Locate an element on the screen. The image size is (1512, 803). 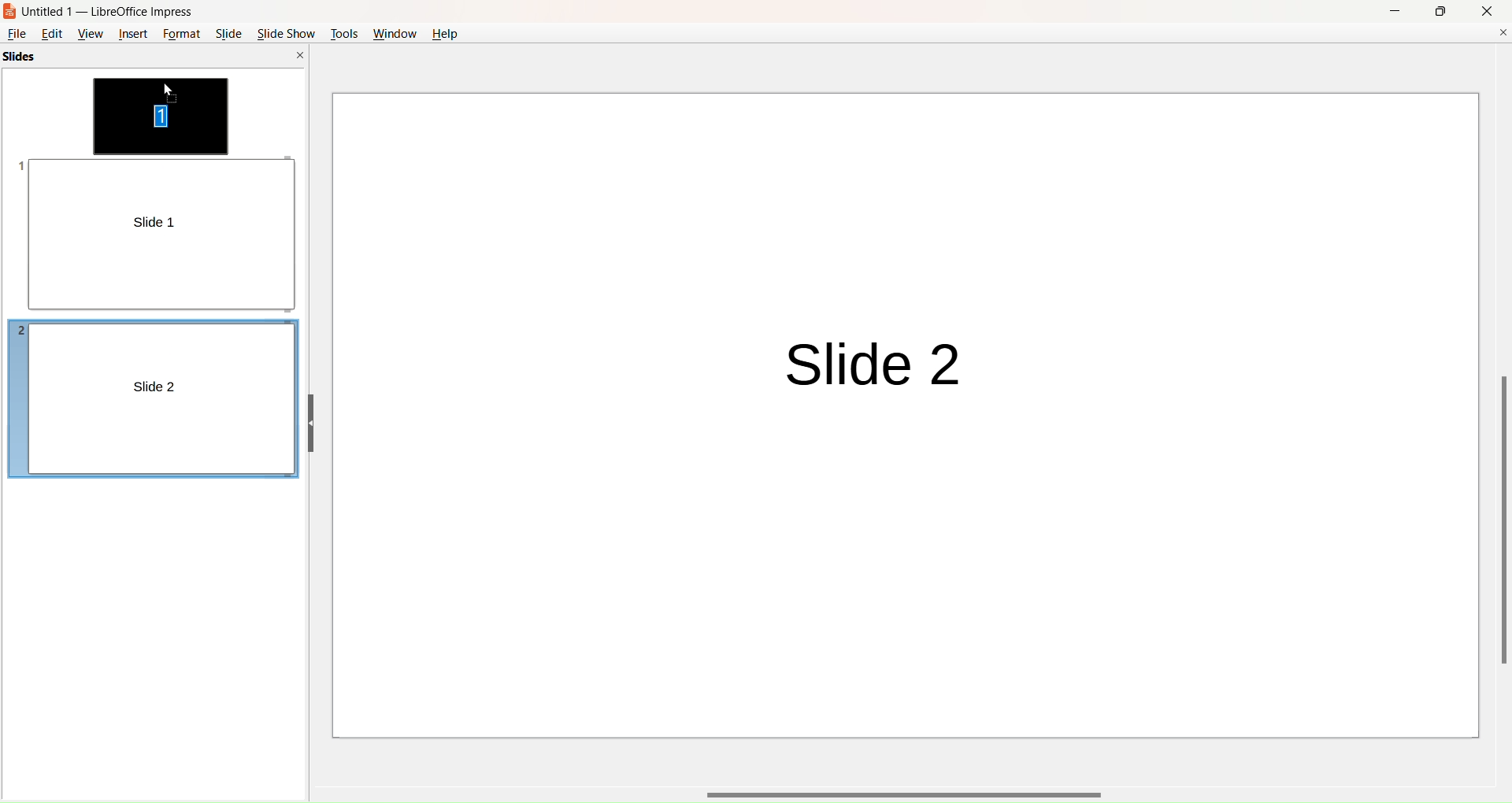
edit is located at coordinates (55, 35).